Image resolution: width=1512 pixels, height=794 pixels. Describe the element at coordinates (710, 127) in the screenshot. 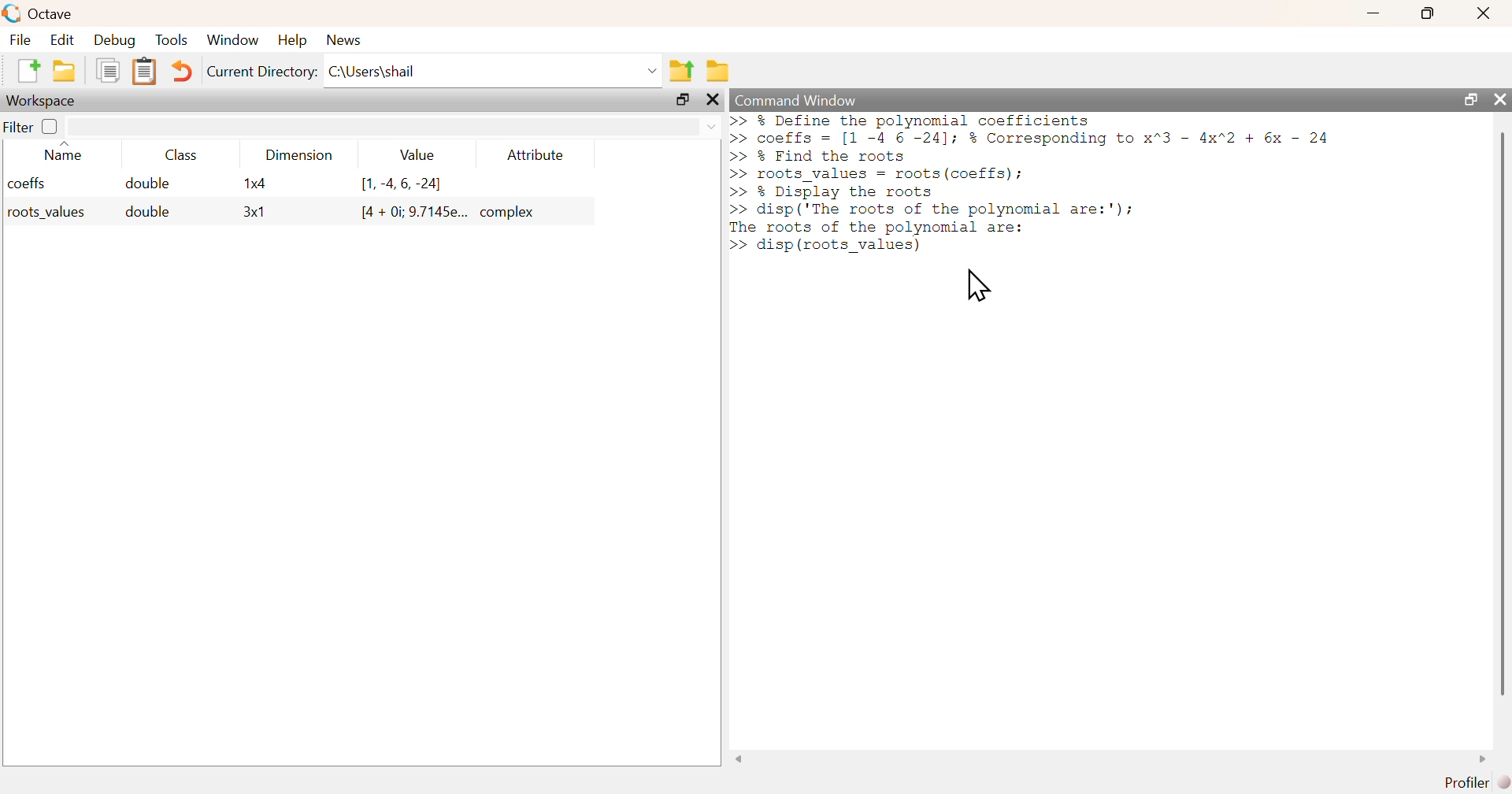

I see `dropdown` at that location.